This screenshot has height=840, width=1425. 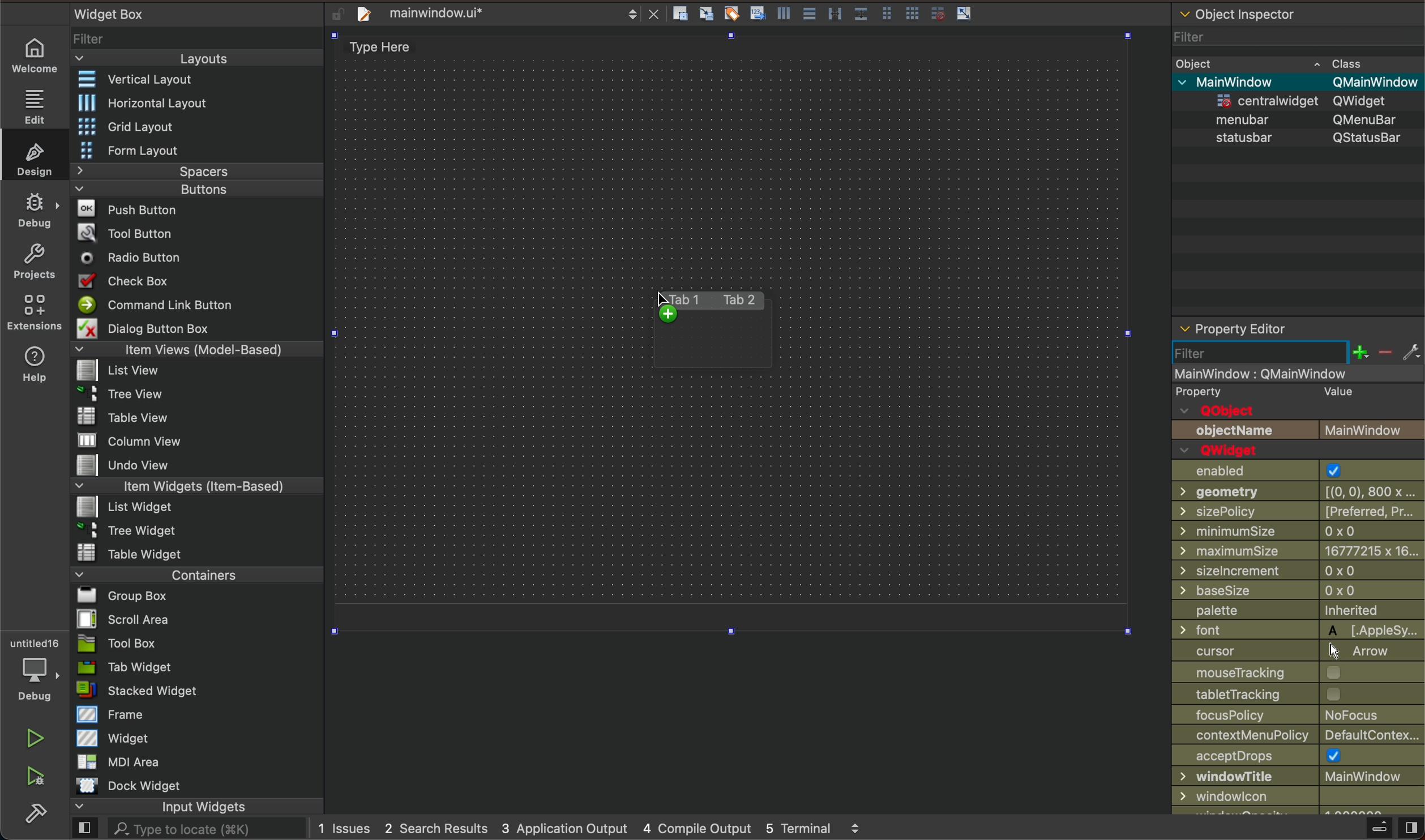 What do you see at coordinates (41, 816) in the screenshot?
I see `build` at bounding box center [41, 816].